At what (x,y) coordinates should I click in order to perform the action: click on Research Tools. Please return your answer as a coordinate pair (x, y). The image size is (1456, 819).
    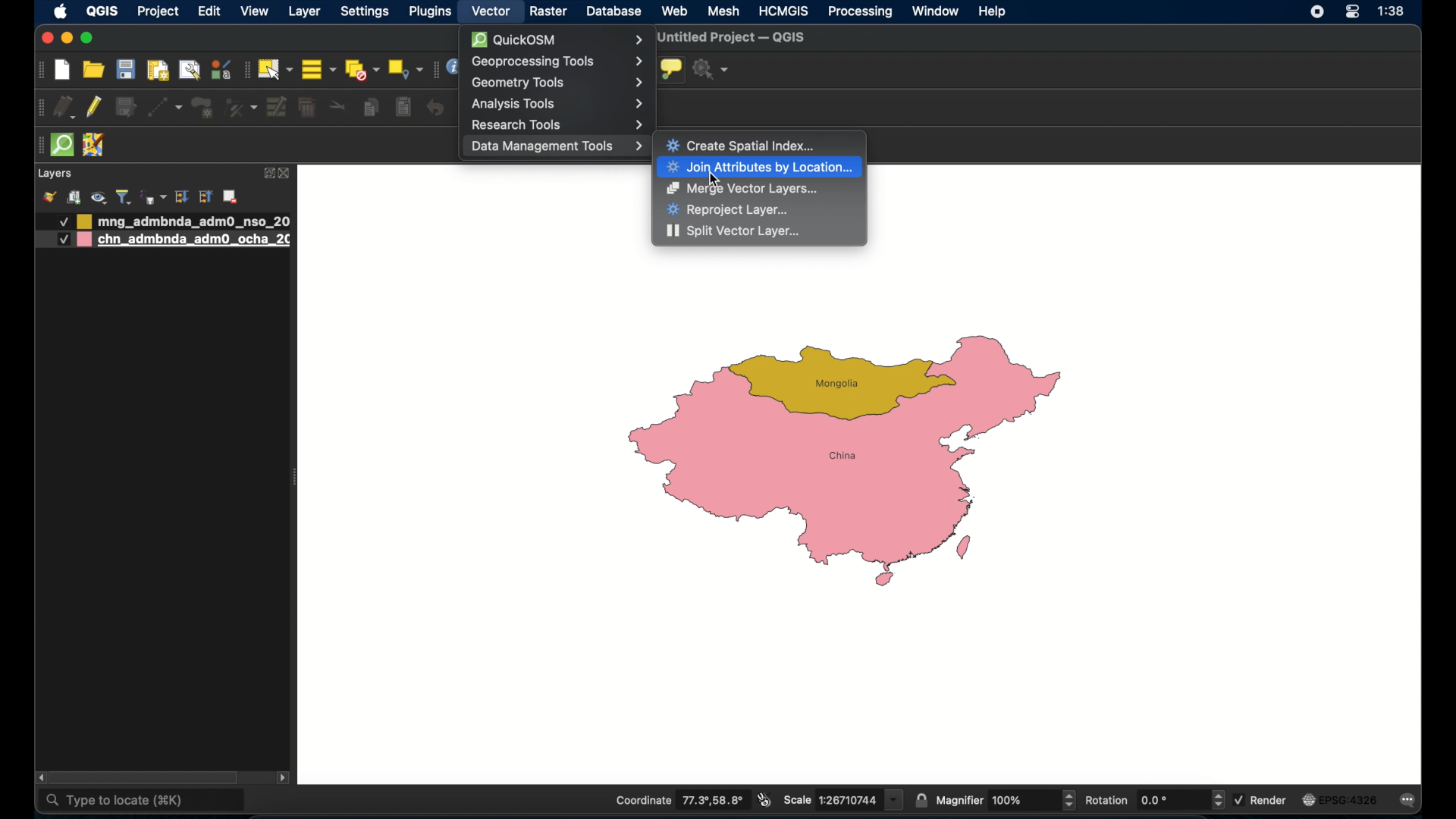
    Looking at the image, I should click on (557, 127).